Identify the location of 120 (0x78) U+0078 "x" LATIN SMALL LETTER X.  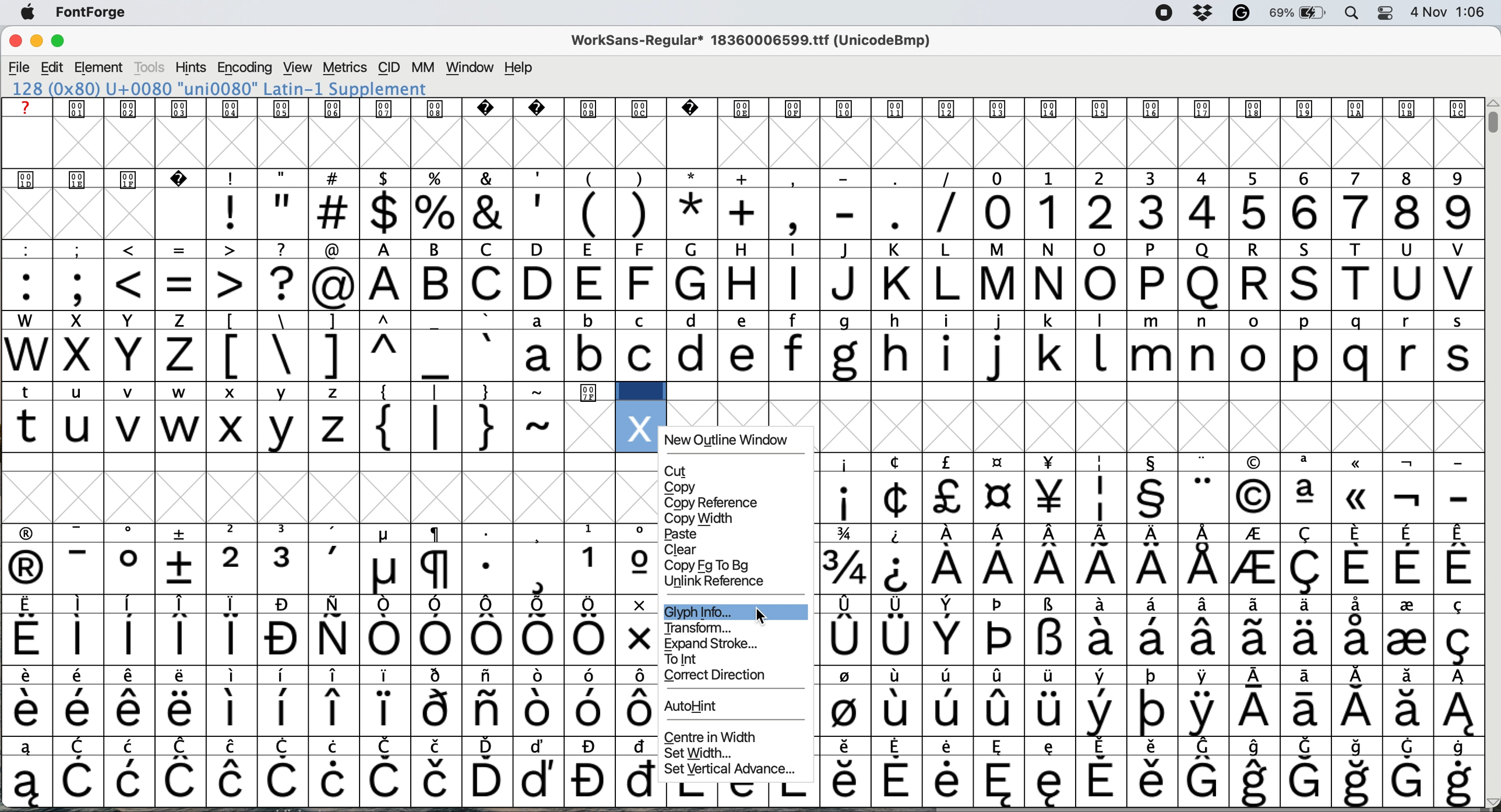
(220, 89).